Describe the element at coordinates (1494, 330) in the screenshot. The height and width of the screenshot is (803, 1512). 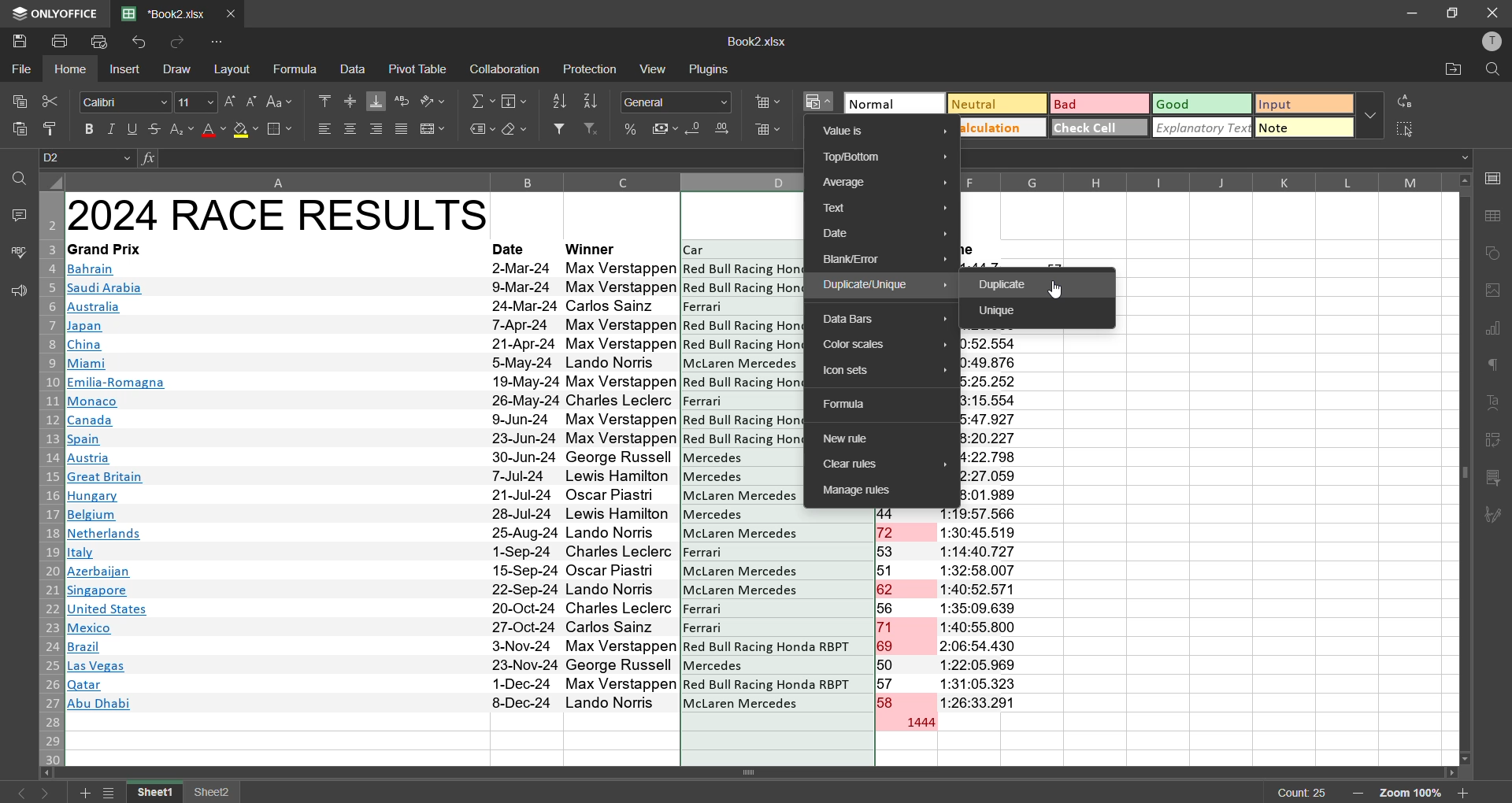
I see `charts` at that location.